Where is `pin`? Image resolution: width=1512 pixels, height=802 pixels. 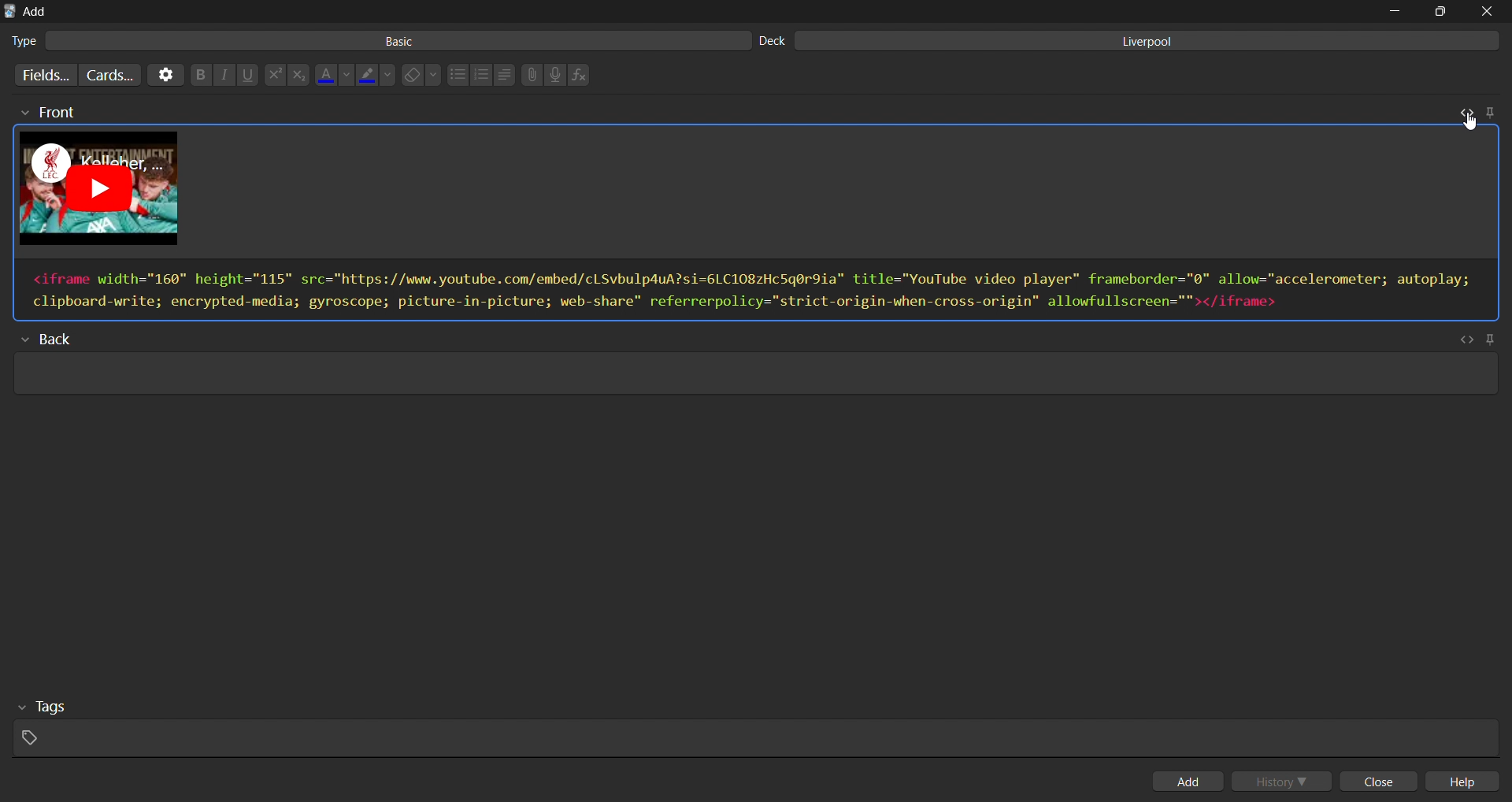 pin is located at coordinates (1489, 111).